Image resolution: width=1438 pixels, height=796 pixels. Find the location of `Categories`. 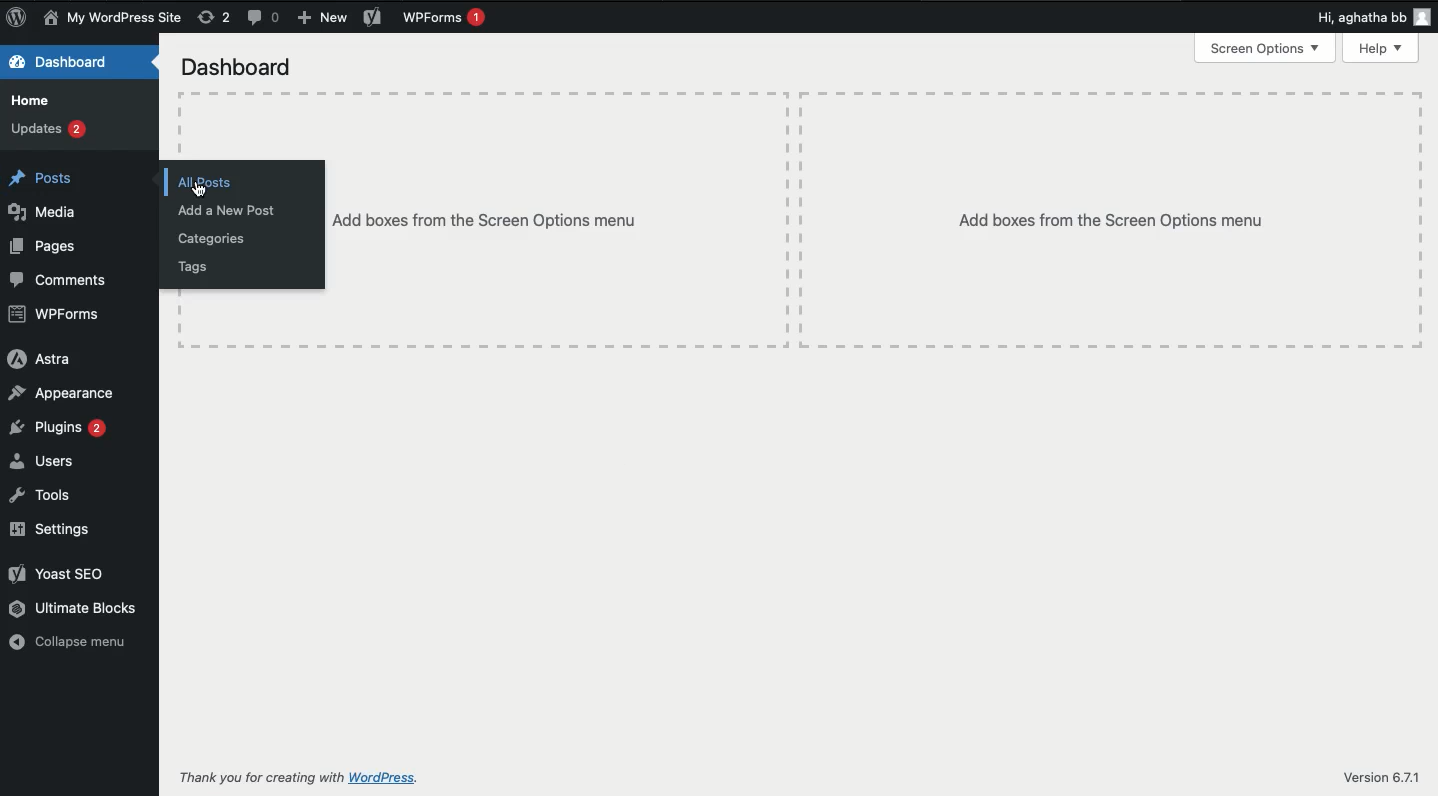

Categories is located at coordinates (213, 239).